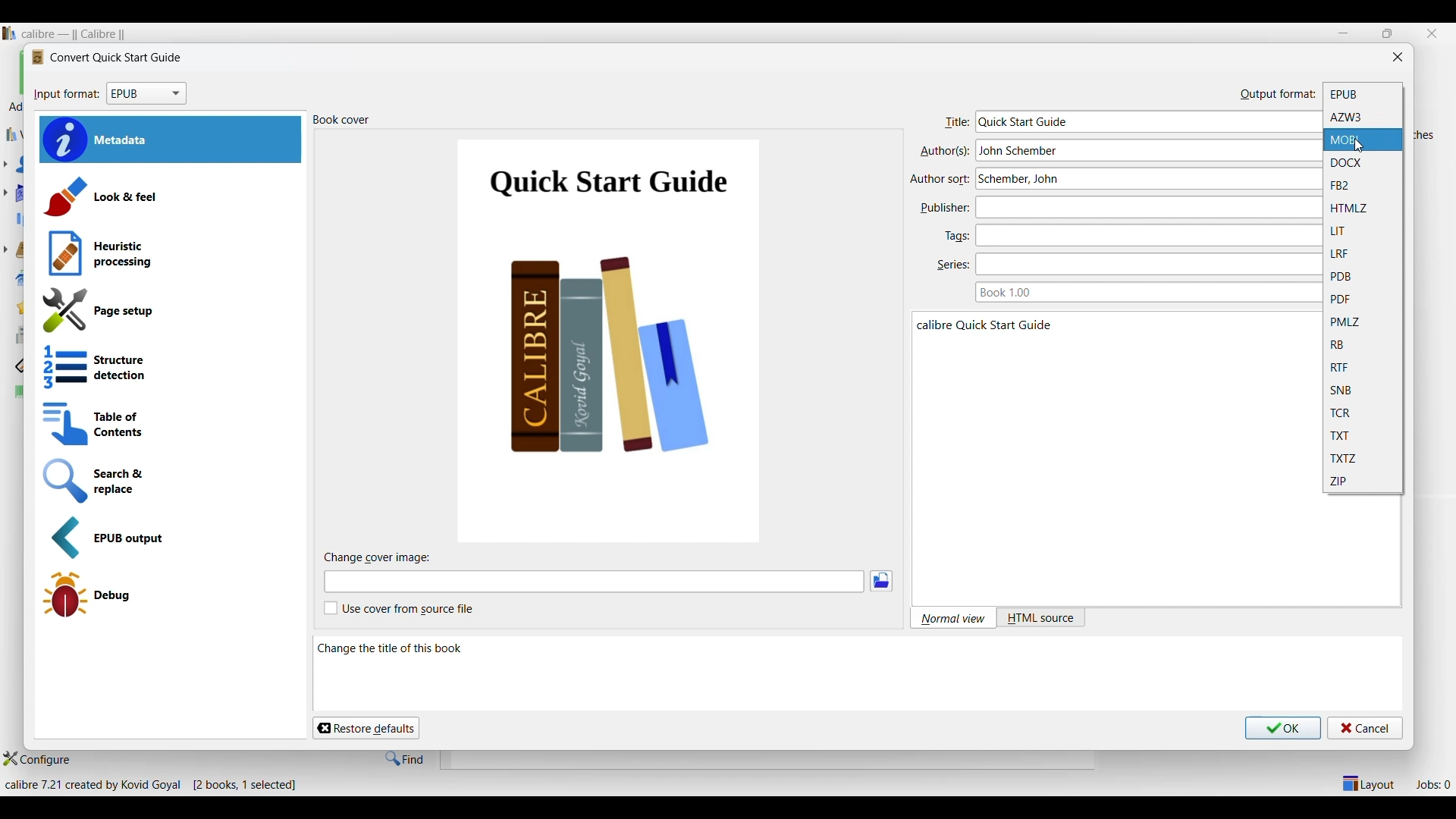 This screenshot has width=1456, height=819. Describe the element at coordinates (1144, 150) in the screenshot. I see `Type in author` at that location.